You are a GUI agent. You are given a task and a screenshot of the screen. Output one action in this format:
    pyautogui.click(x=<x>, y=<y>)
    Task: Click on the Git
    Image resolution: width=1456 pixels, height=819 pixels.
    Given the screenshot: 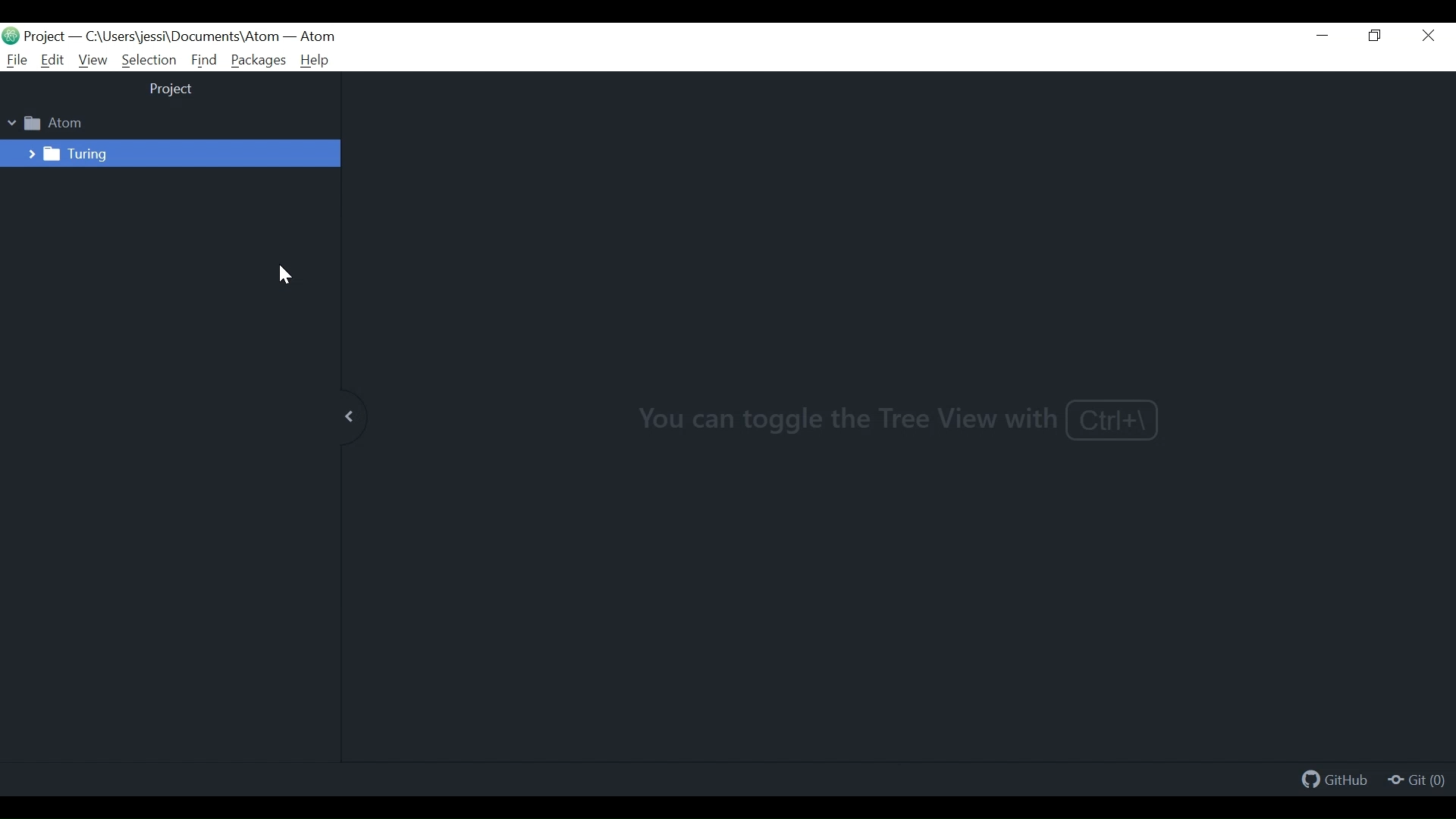 What is the action you would take?
    pyautogui.click(x=1416, y=781)
    